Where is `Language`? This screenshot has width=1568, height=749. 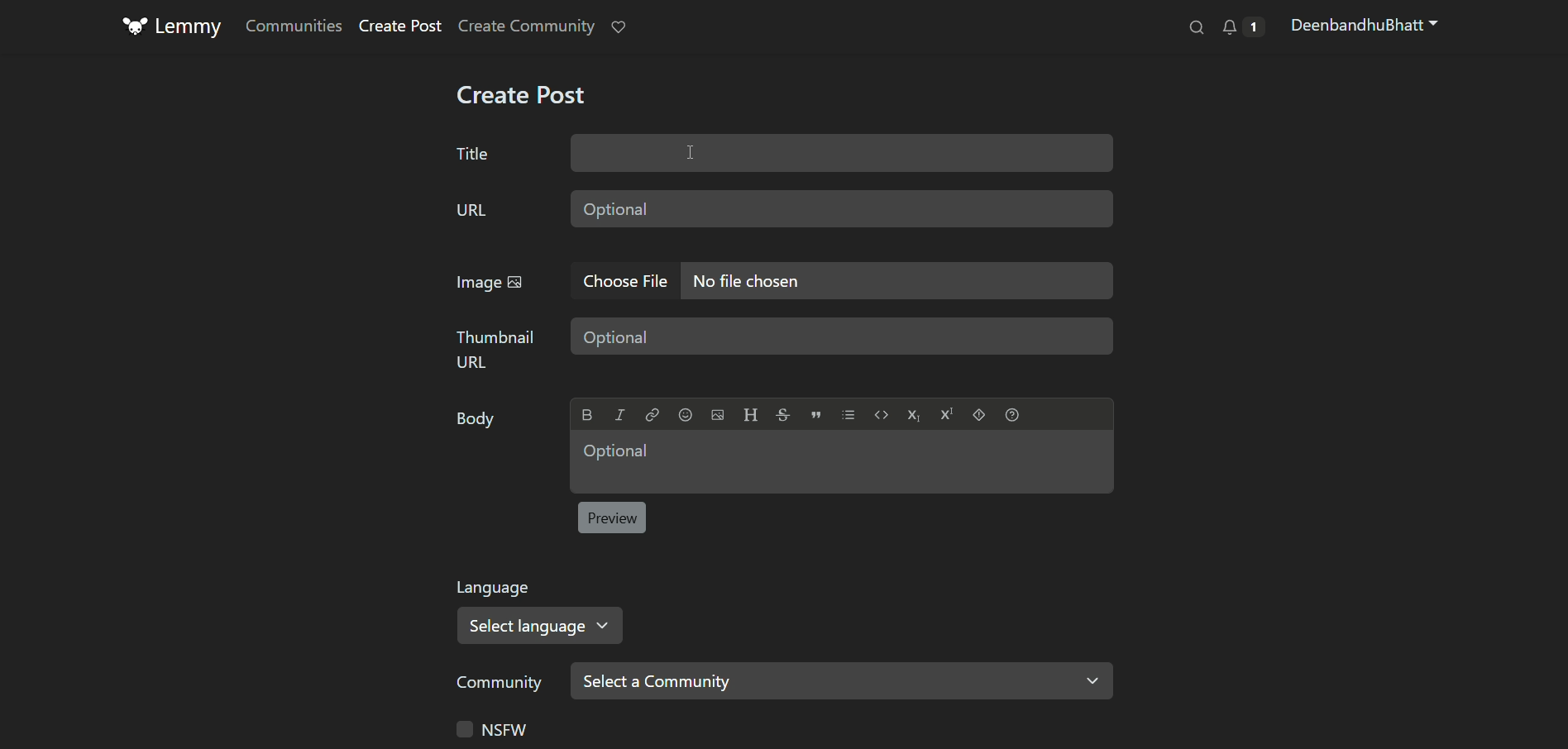 Language is located at coordinates (499, 588).